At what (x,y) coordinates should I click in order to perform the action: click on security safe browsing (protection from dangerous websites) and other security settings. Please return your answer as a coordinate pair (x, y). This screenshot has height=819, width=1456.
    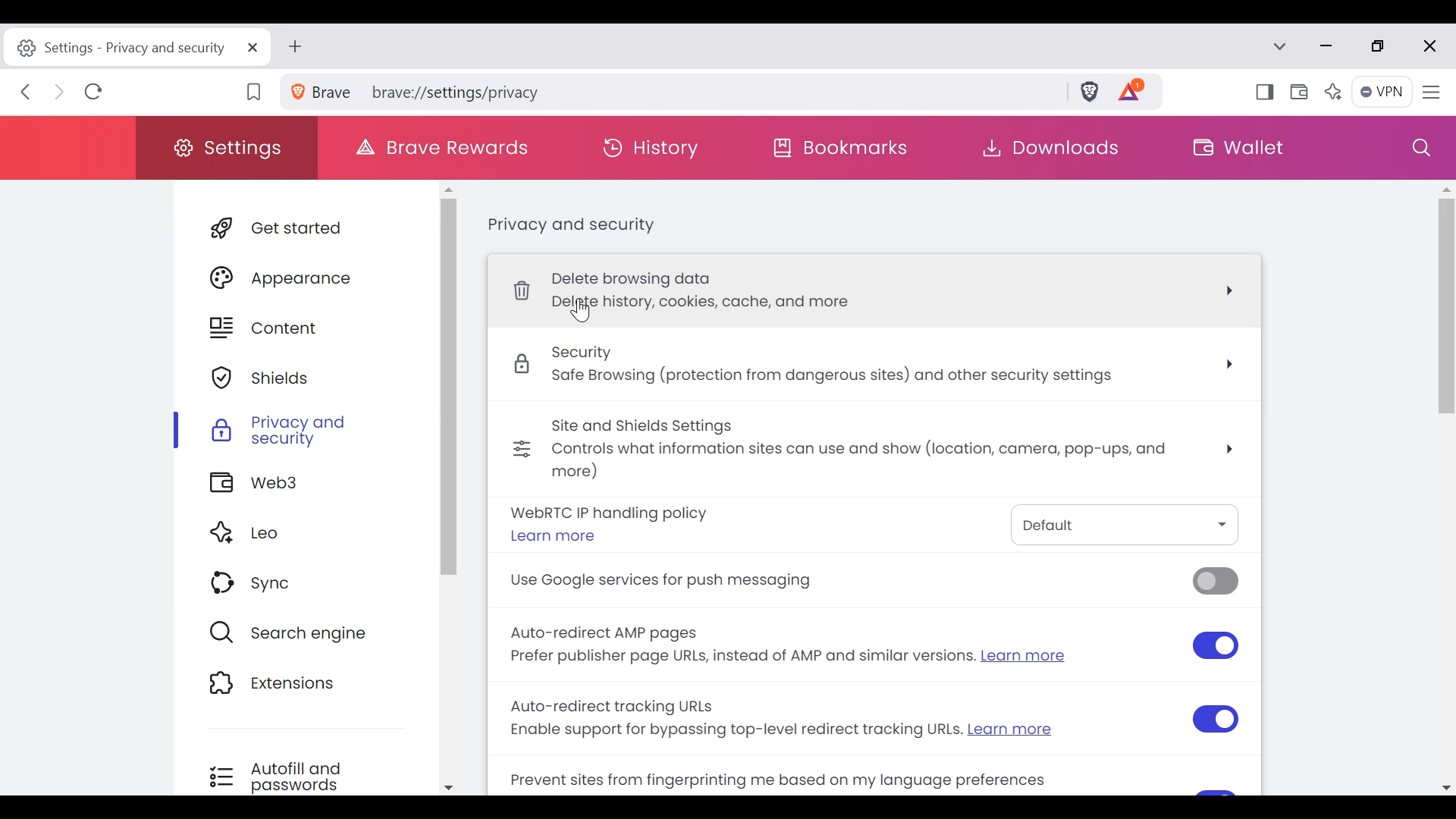
    Looking at the image, I should click on (880, 368).